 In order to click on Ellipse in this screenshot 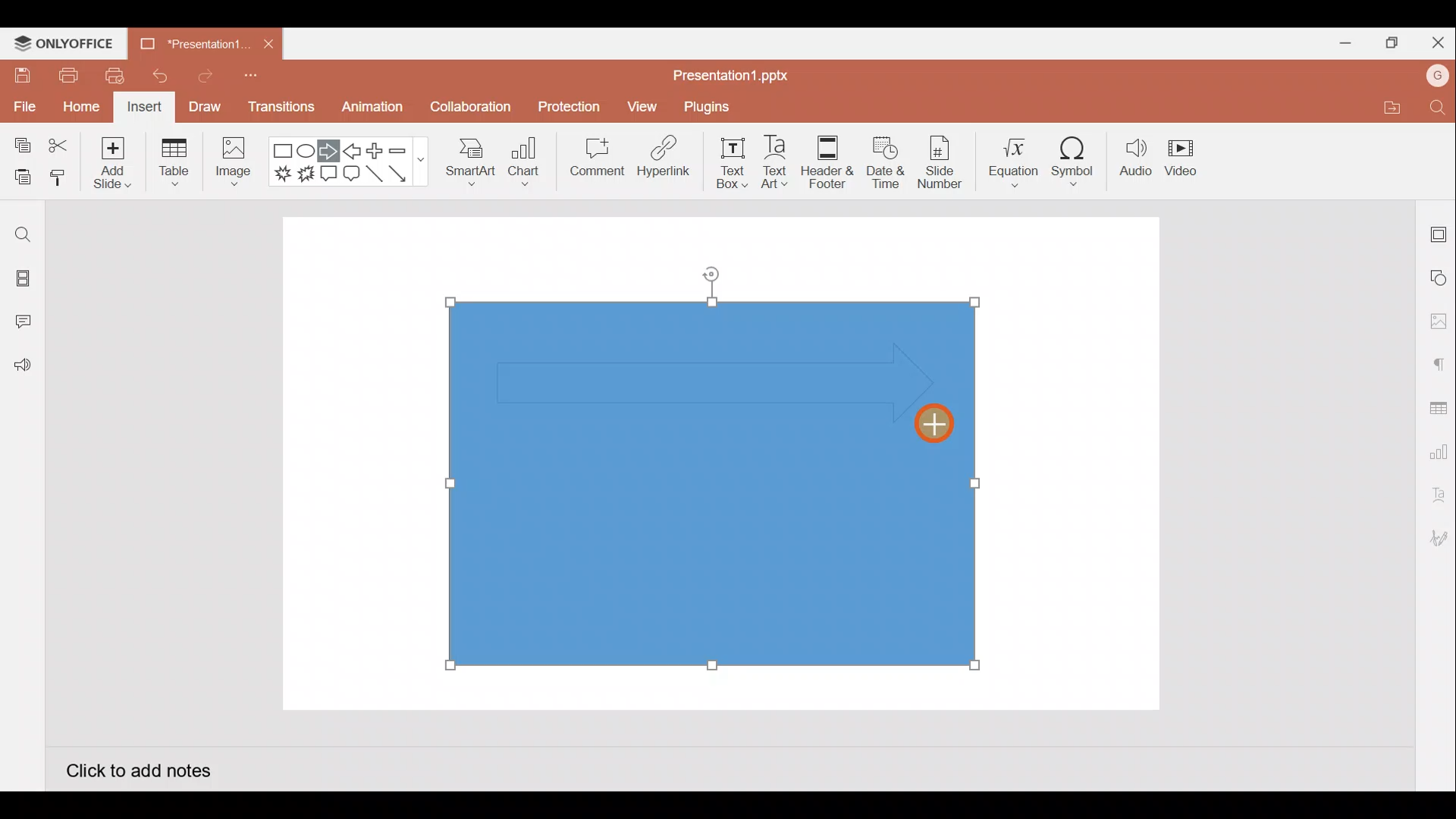, I will do `click(308, 151)`.